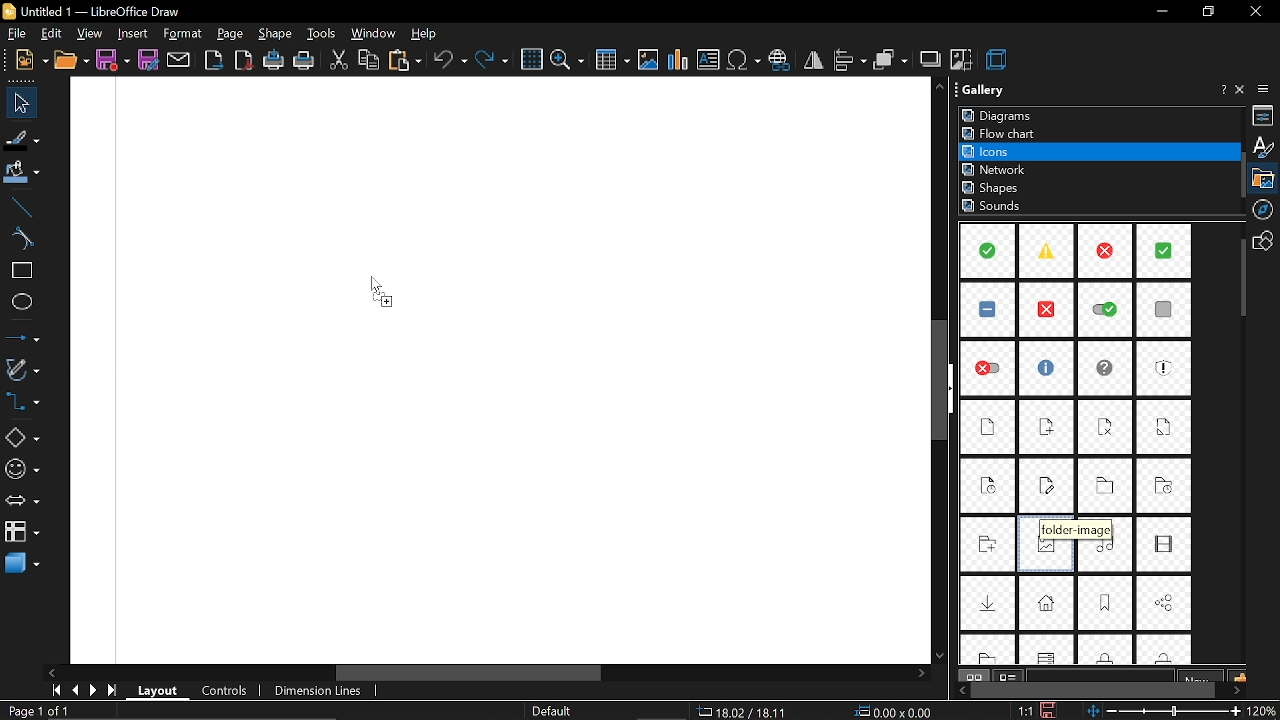 The width and height of the screenshot is (1280, 720). What do you see at coordinates (20, 339) in the screenshot?
I see `lines and arrow` at bounding box center [20, 339].